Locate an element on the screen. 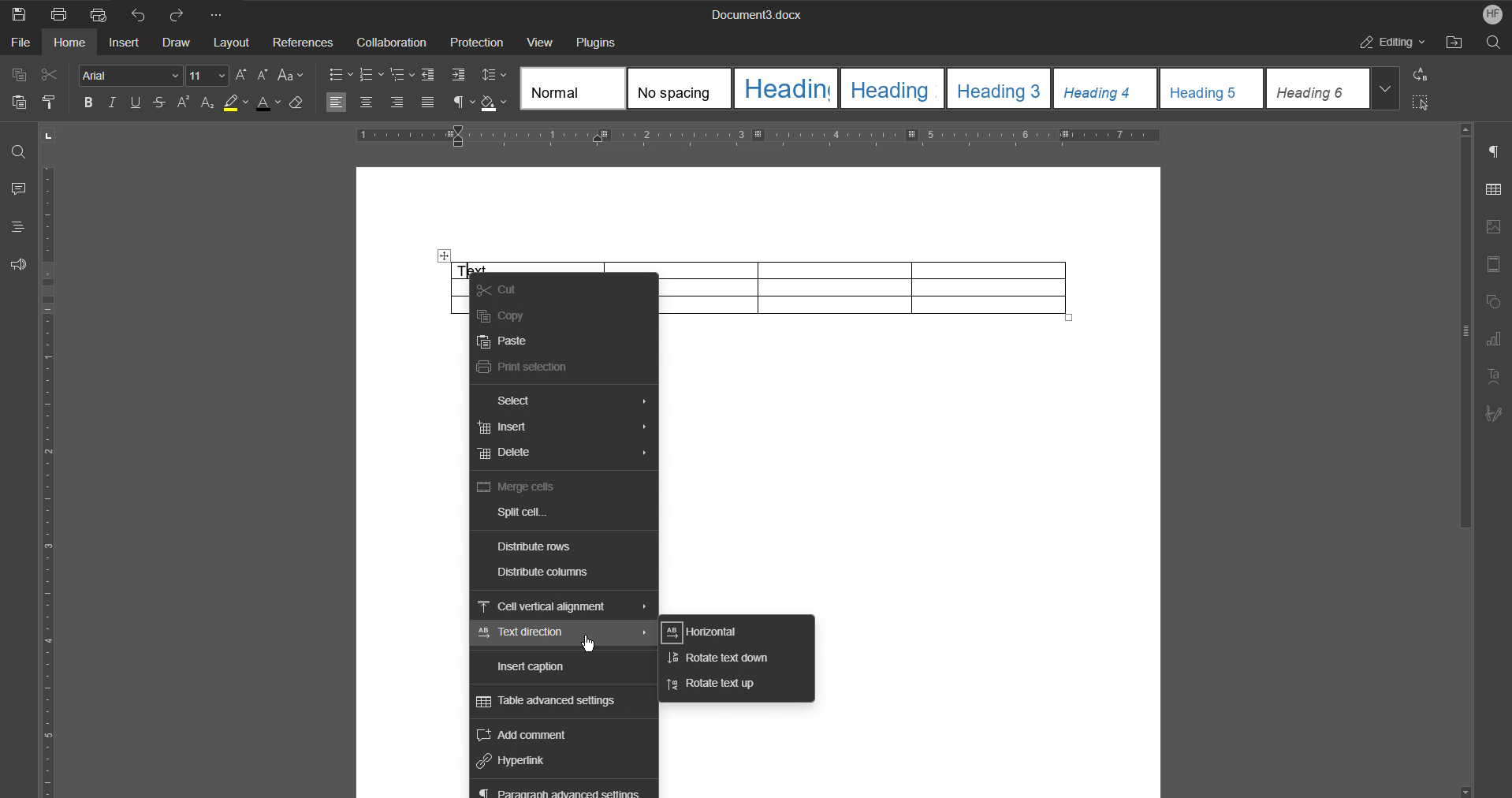 The image size is (1512, 798). Protection is located at coordinates (476, 41).